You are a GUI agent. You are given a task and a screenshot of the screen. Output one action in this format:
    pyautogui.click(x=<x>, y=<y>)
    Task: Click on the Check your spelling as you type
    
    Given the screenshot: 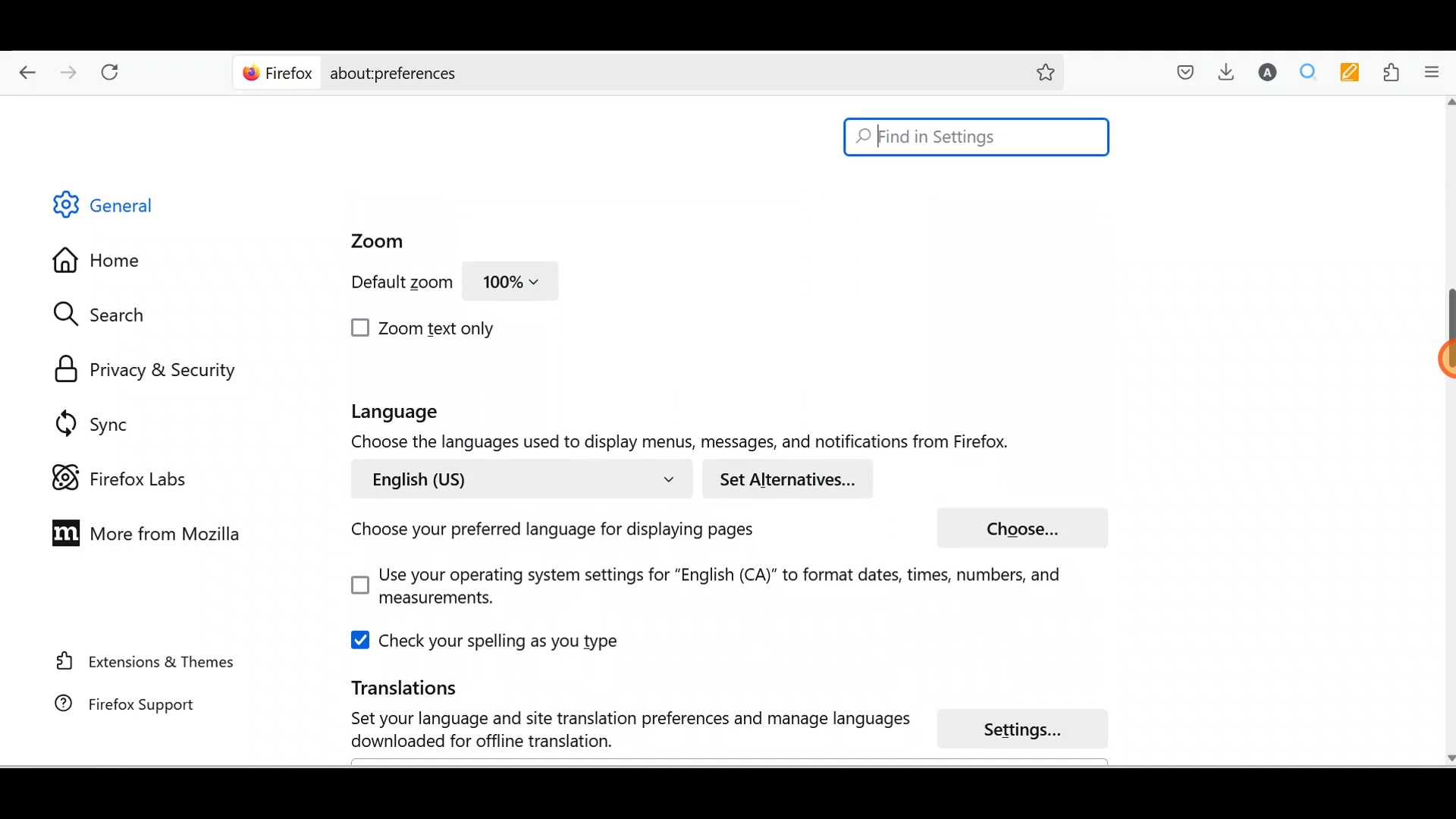 What is the action you would take?
    pyautogui.click(x=489, y=640)
    